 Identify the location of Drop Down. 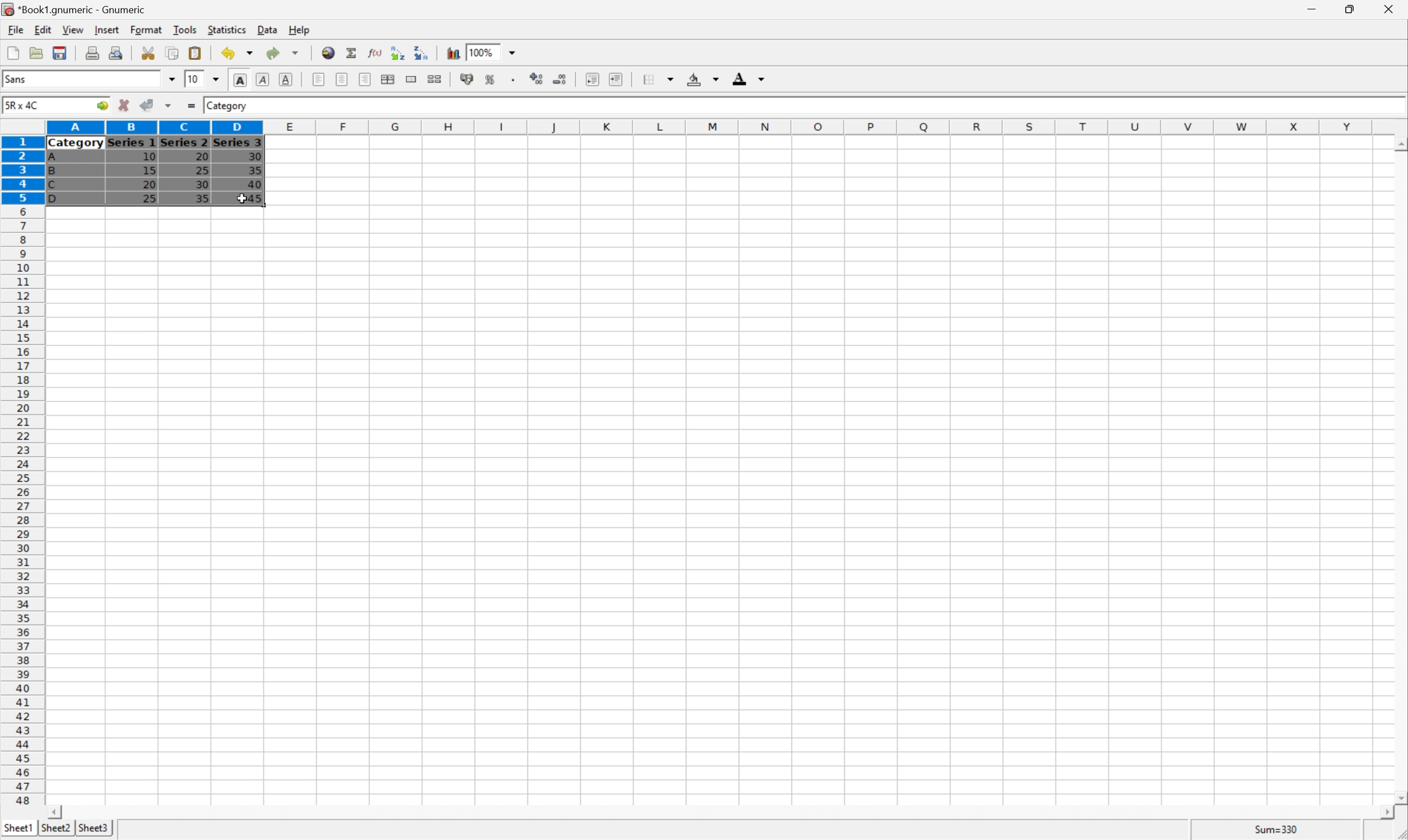
(216, 80).